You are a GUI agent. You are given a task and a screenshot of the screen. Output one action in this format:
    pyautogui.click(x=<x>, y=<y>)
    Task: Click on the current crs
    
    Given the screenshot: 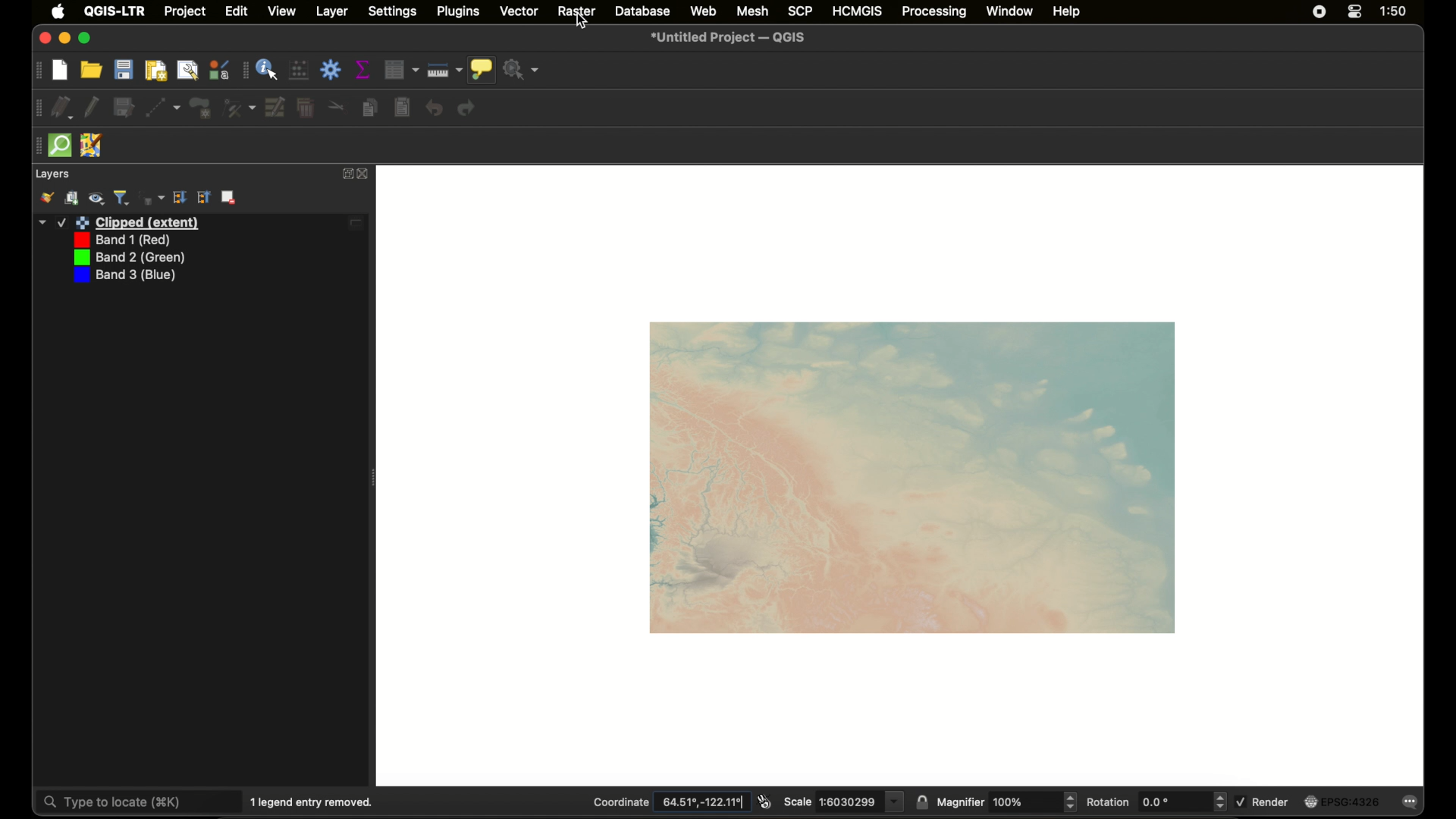 What is the action you would take?
    pyautogui.click(x=1340, y=802)
    